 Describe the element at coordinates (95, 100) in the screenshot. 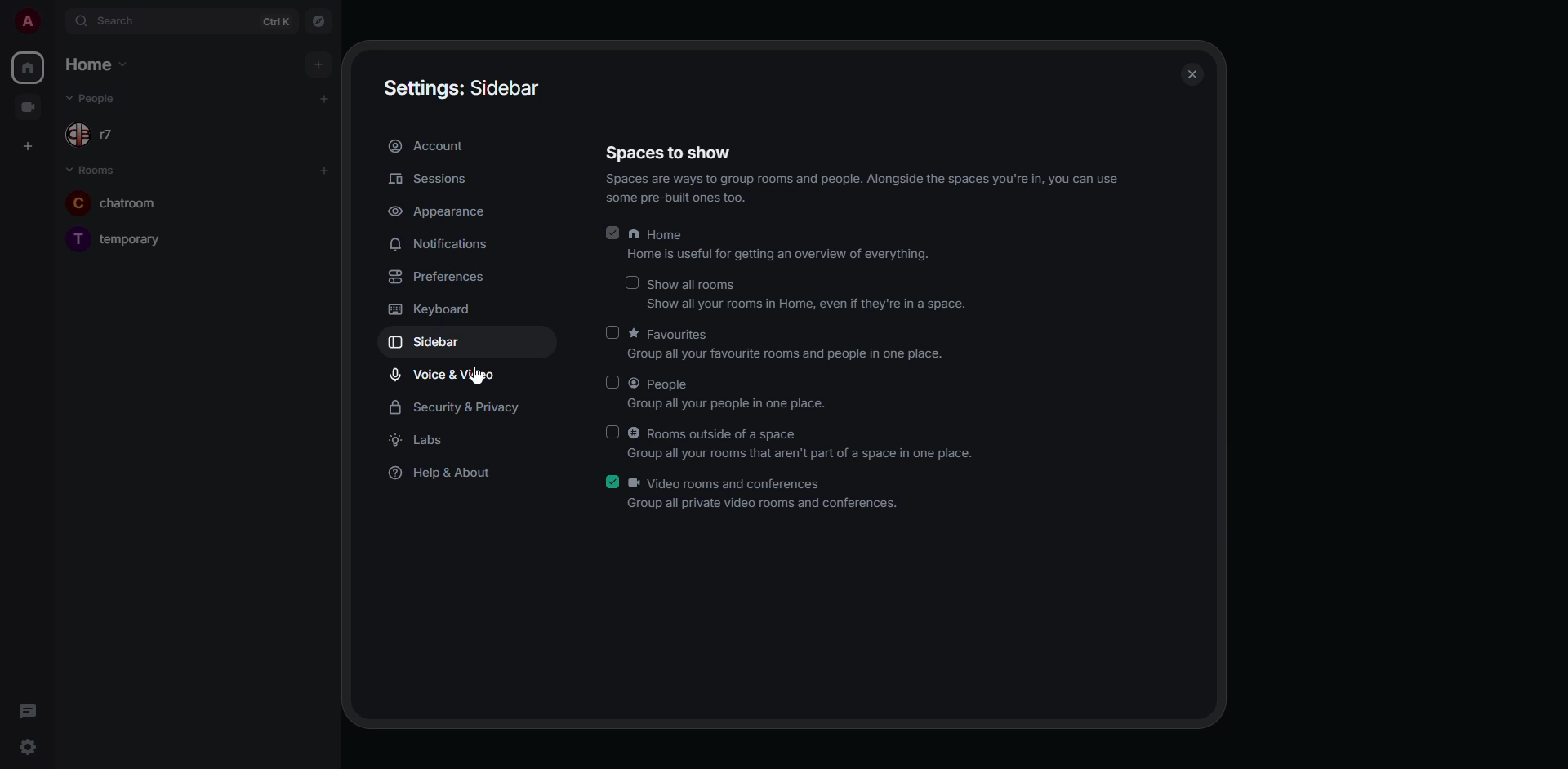

I see `people` at that location.